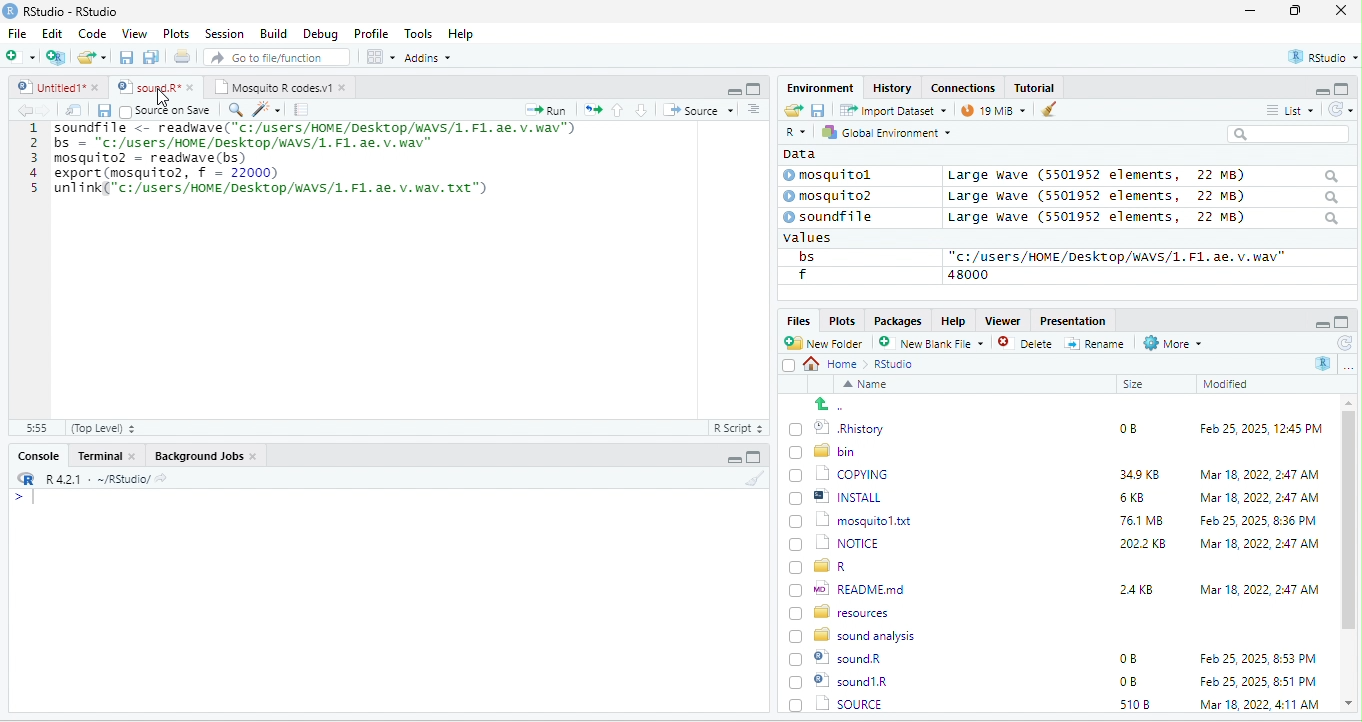 The image size is (1362, 722). What do you see at coordinates (855, 634) in the screenshot?
I see `8 sound analysis` at bounding box center [855, 634].